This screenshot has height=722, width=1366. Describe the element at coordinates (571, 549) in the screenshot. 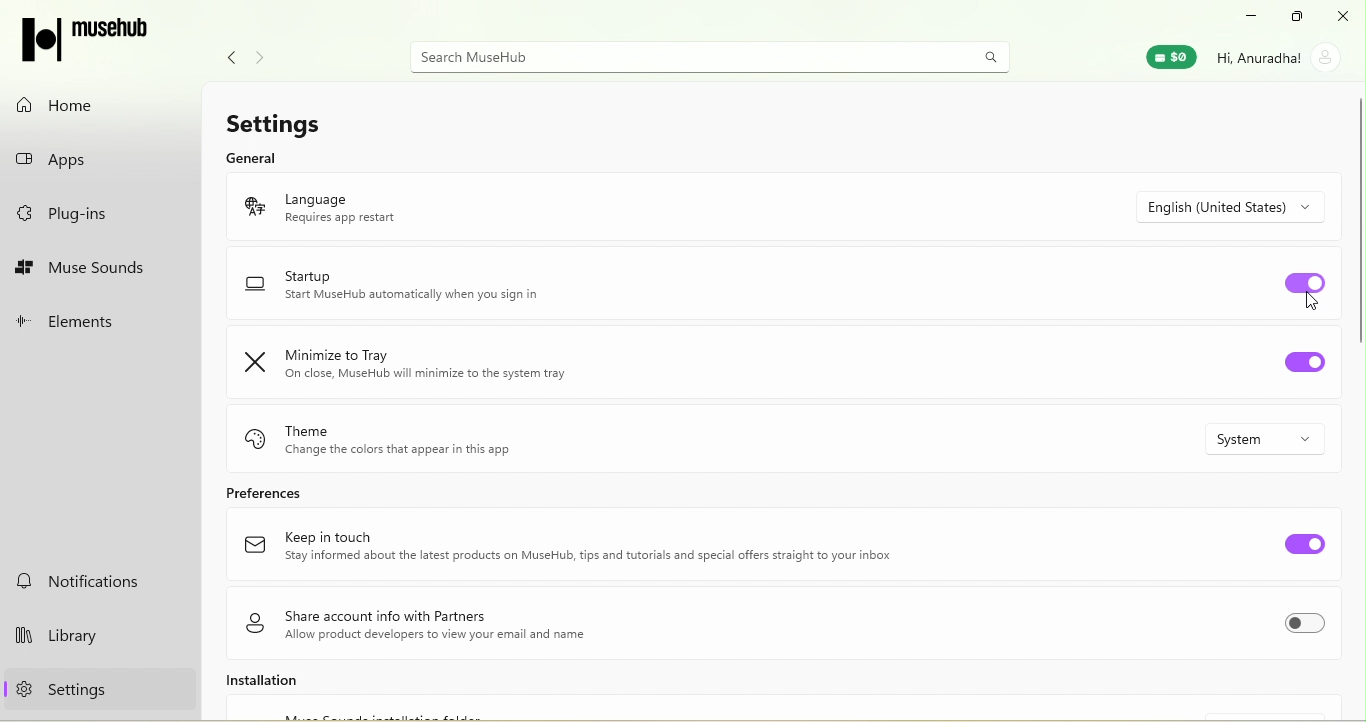

I see `Keep in touch` at that location.